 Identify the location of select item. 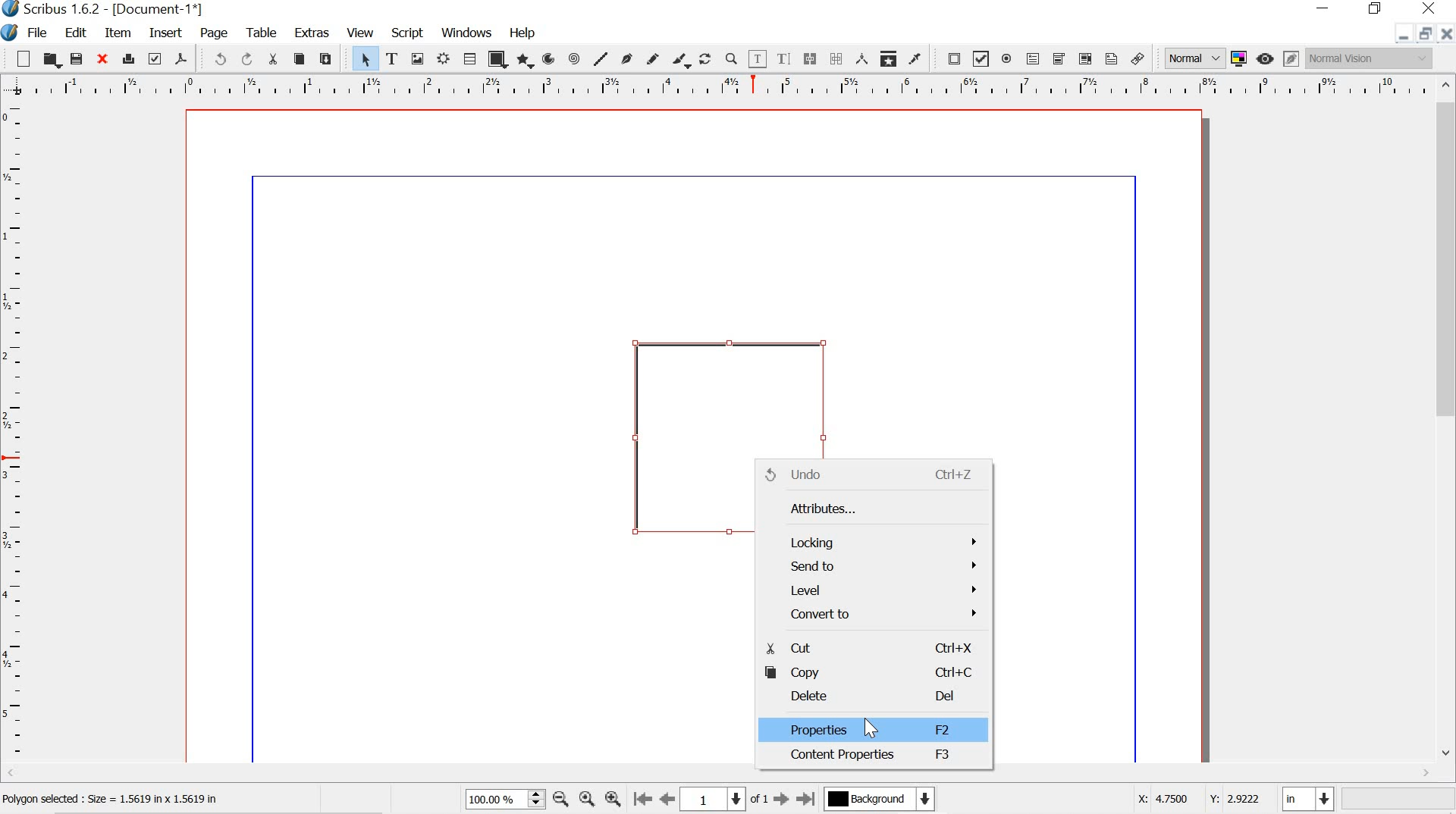
(365, 58).